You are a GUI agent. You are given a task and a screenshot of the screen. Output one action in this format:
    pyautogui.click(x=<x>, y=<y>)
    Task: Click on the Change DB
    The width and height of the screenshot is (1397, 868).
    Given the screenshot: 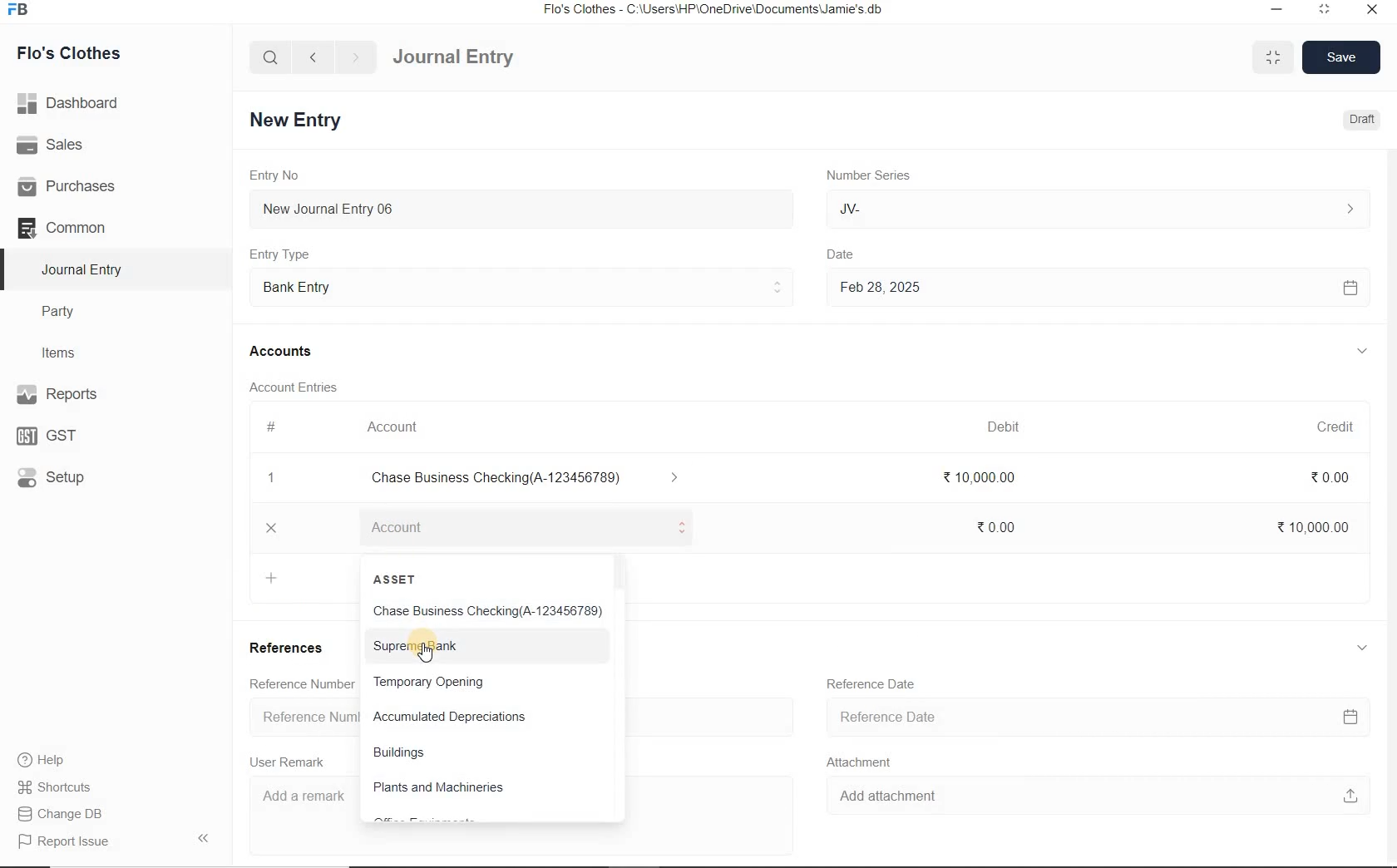 What is the action you would take?
    pyautogui.click(x=62, y=812)
    